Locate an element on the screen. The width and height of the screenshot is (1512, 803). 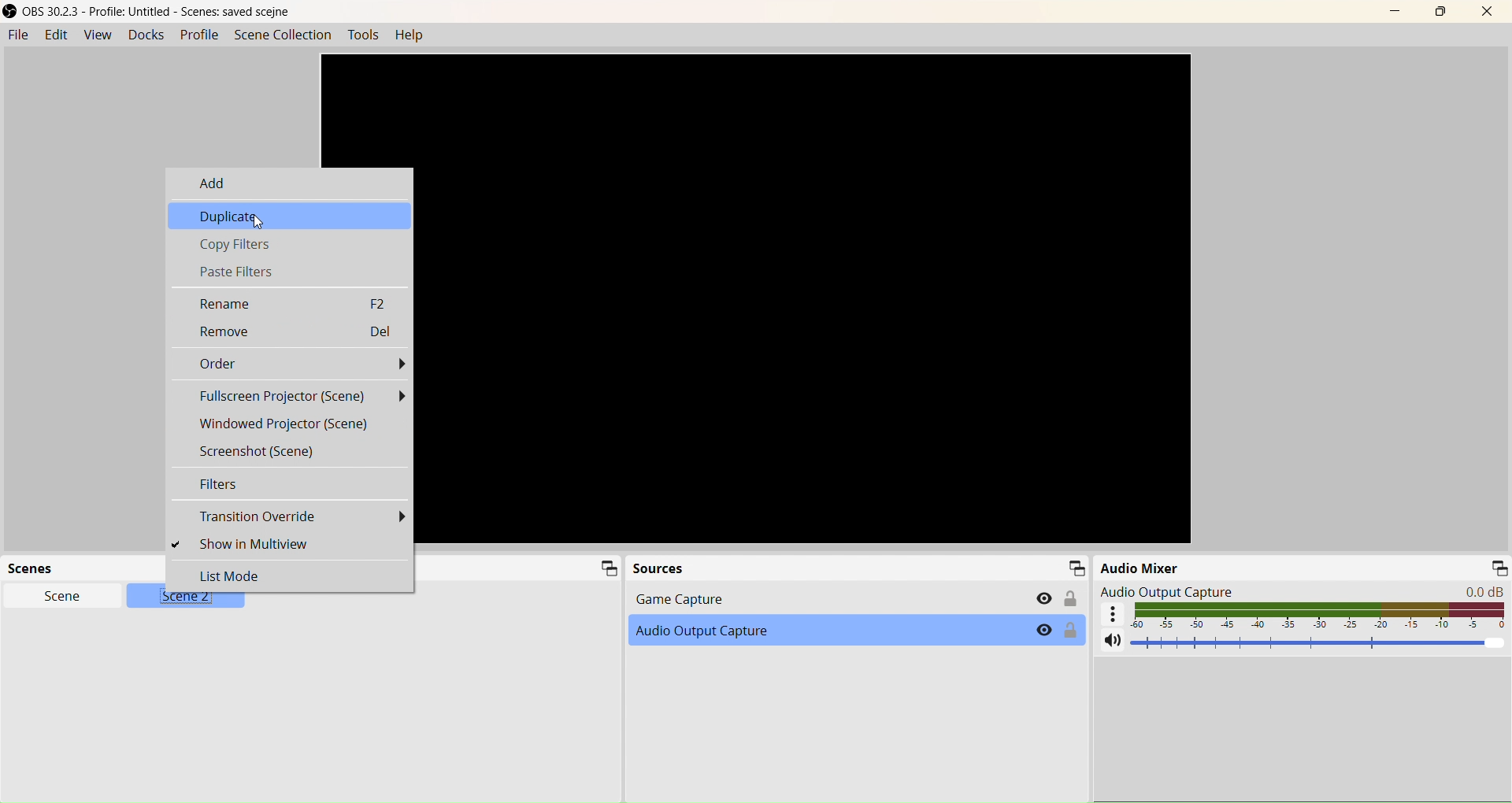
Eye is located at coordinates (1046, 598).